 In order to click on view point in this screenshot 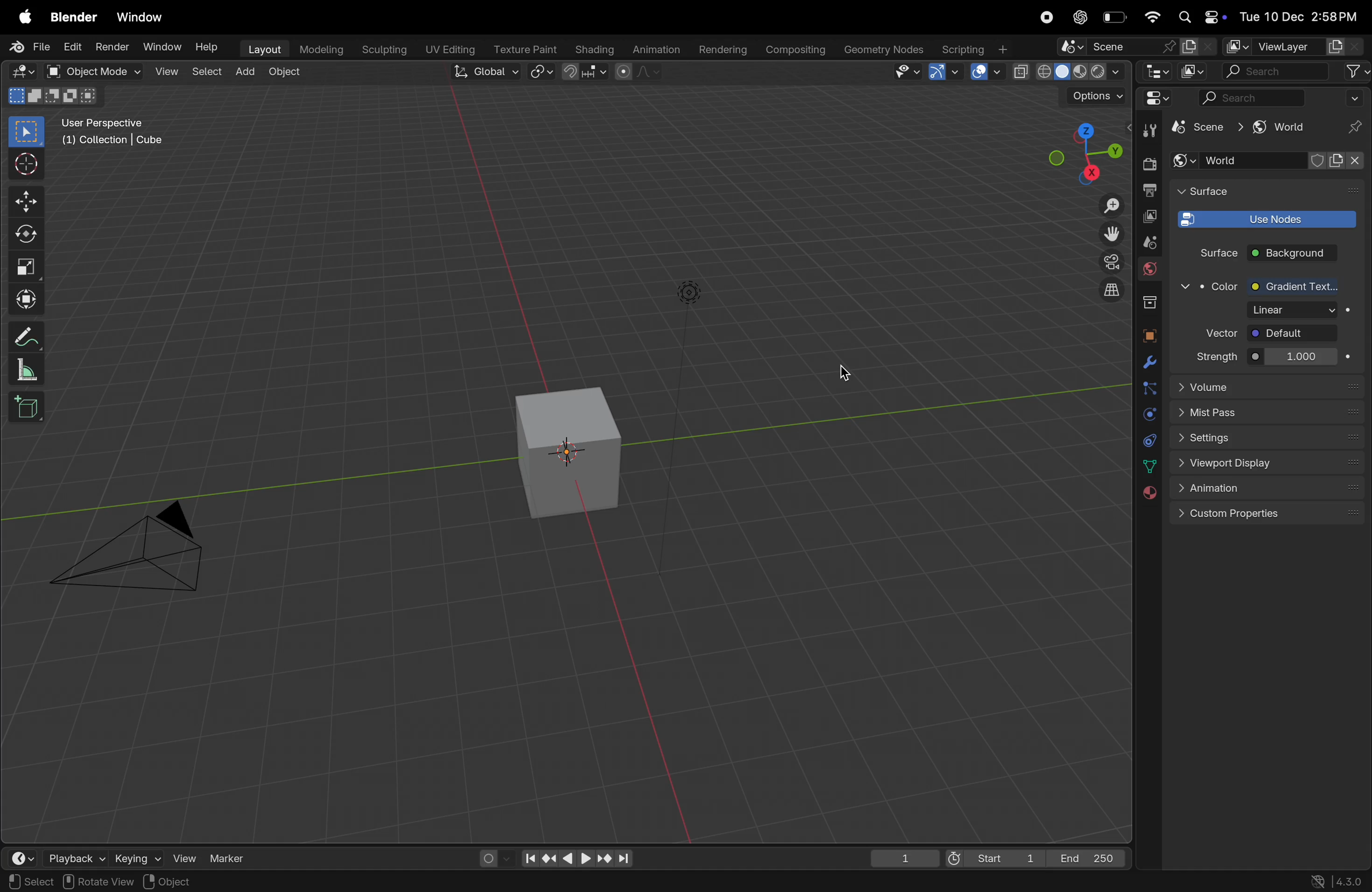, I will do `click(1077, 156)`.